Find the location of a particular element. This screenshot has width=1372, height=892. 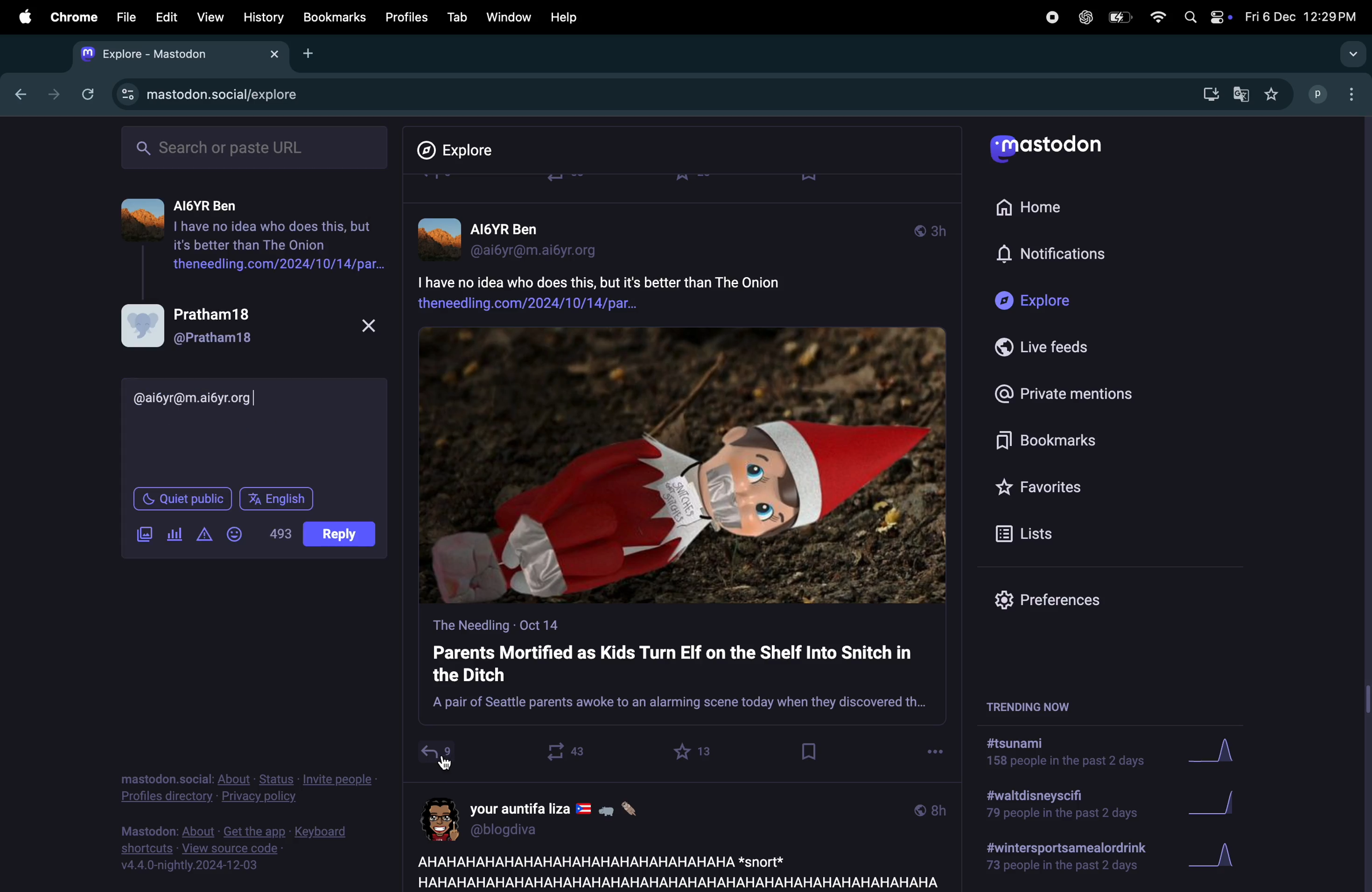

post description is located at coordinates (643, 290).